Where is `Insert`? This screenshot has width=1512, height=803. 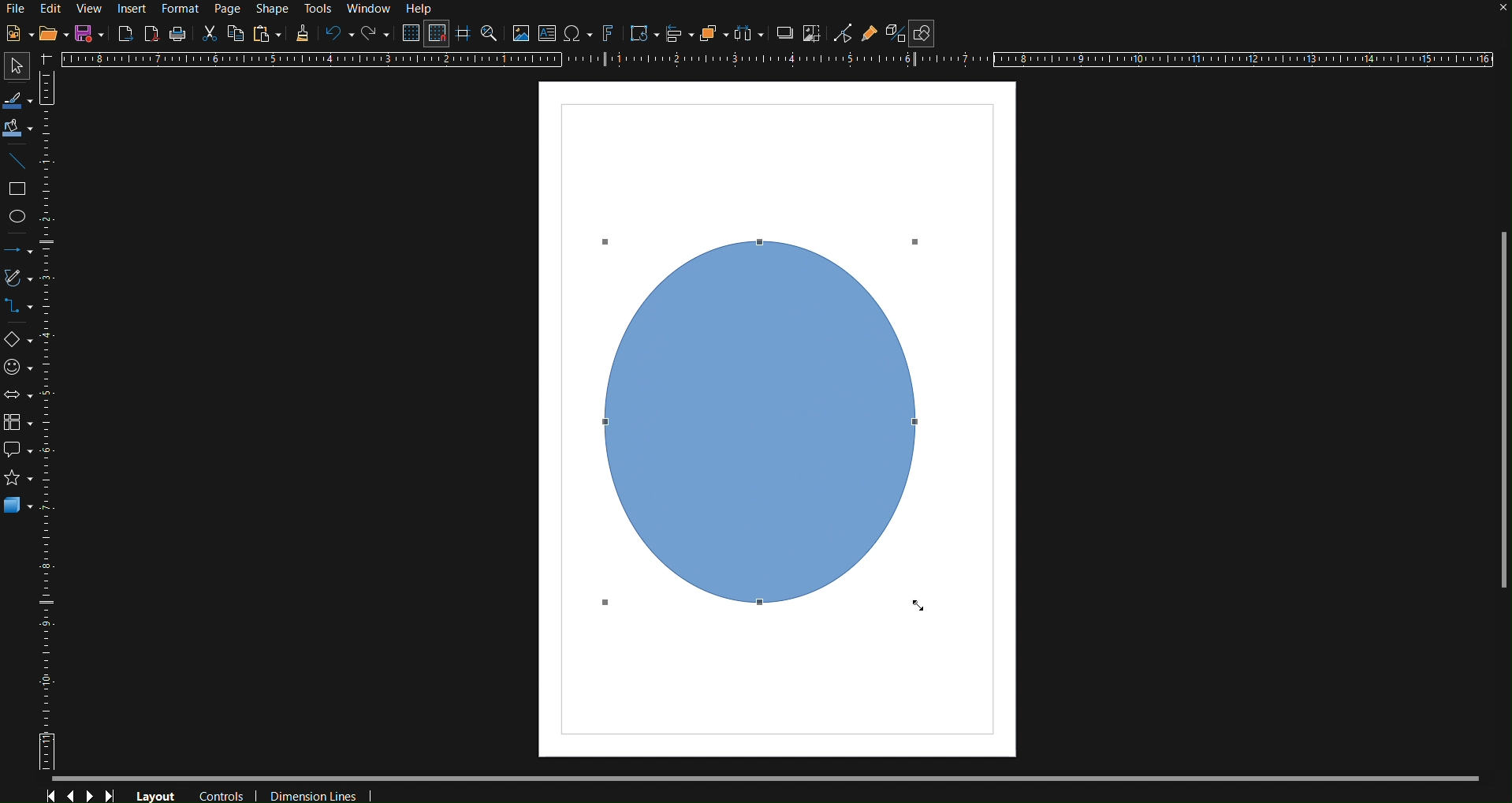 Insert is located at coordinates (134, 9).